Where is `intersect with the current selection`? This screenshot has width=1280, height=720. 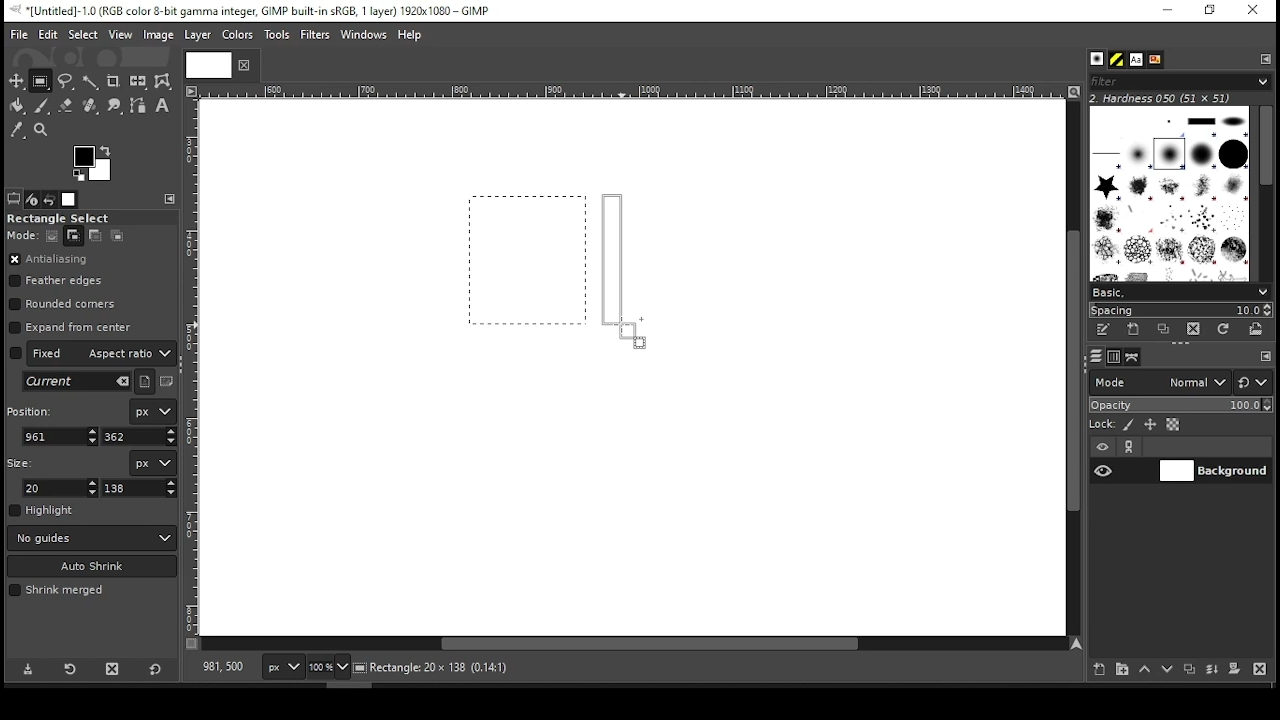
intersect with the current selection is located at coordinates (116, 235).